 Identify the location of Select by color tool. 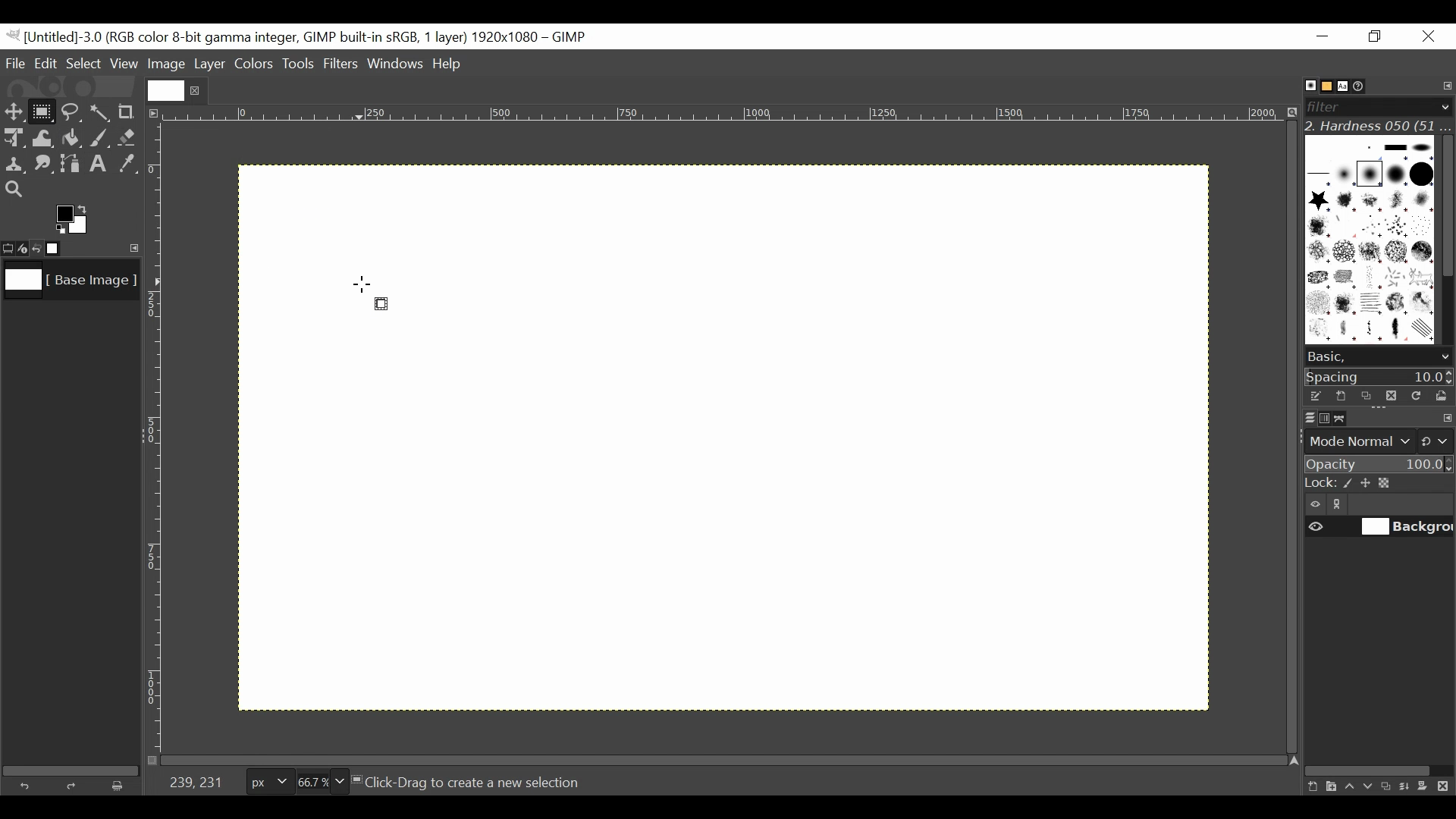
(102, 111).